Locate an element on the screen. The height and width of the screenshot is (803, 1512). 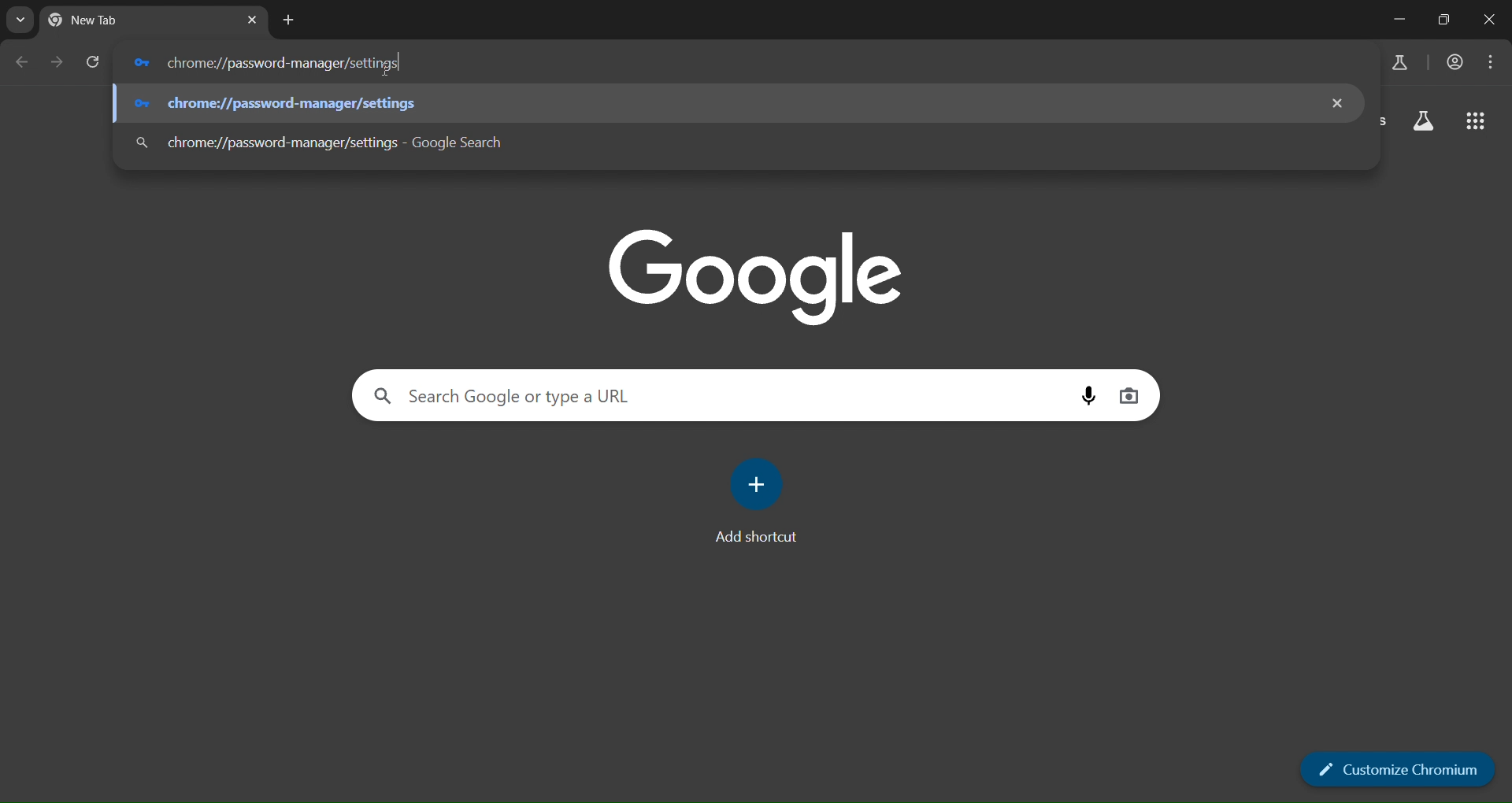
chrome://password-manager/settings - Google Search is located at coordinates (322, 141).